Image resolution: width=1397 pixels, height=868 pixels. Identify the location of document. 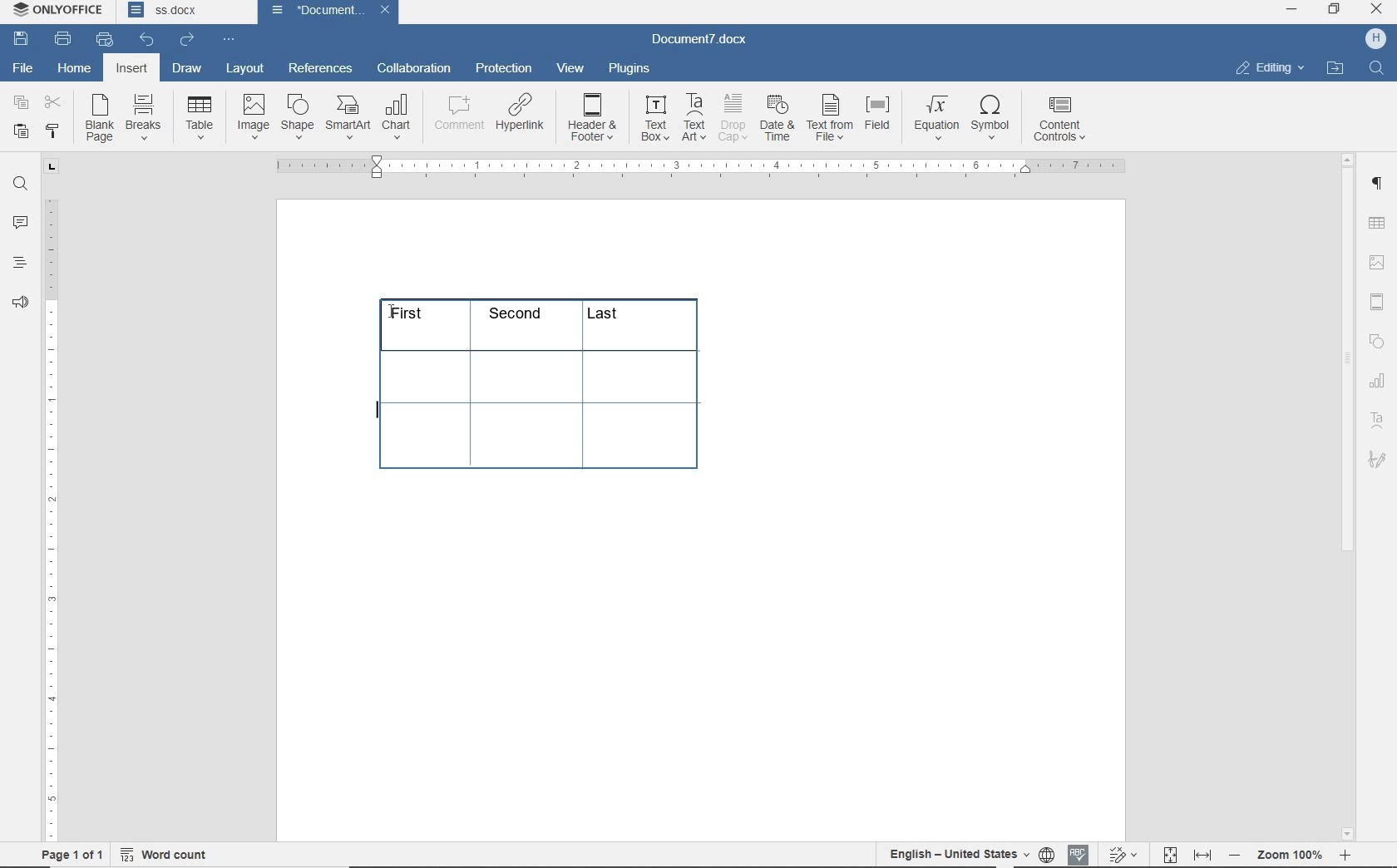
(313, 10).